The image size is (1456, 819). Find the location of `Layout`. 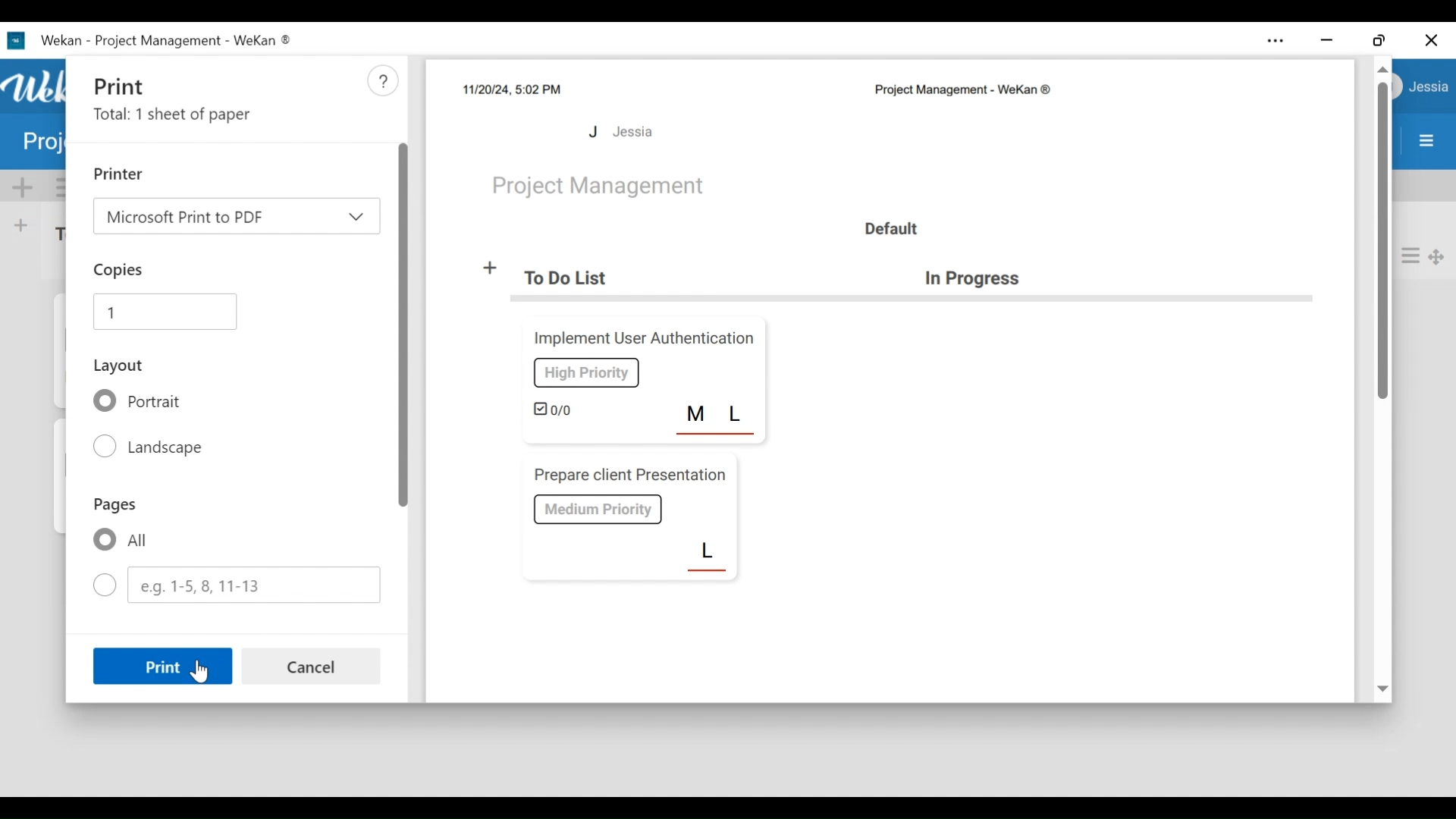

Layout is located at coordinates (121, 365).